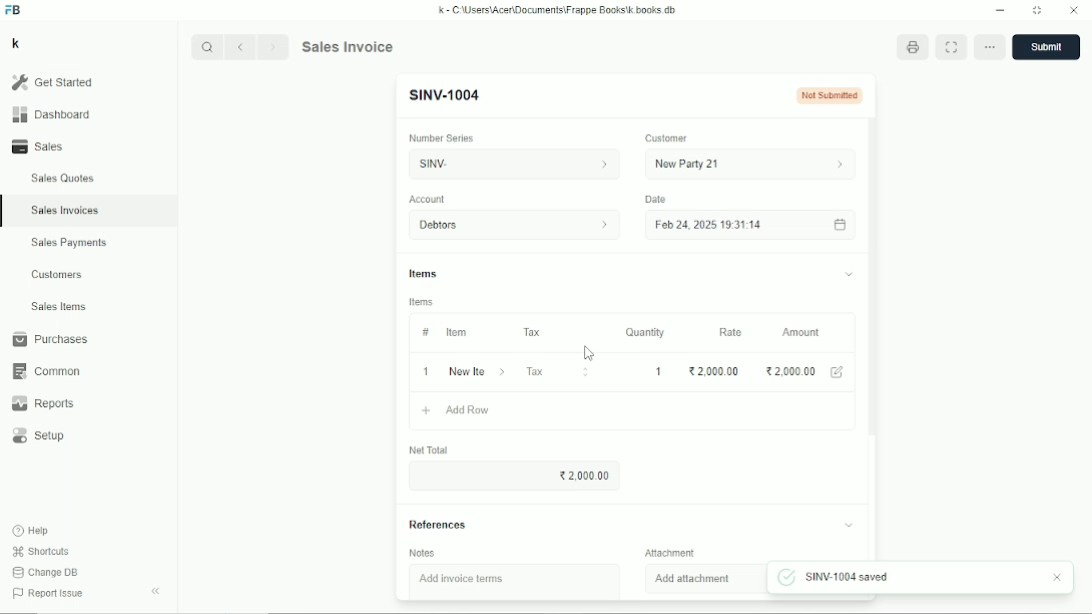  What do you see at coordinates (51, 114) in the screenshot?
I see `Dashboard` at bounding box center [51, 114].